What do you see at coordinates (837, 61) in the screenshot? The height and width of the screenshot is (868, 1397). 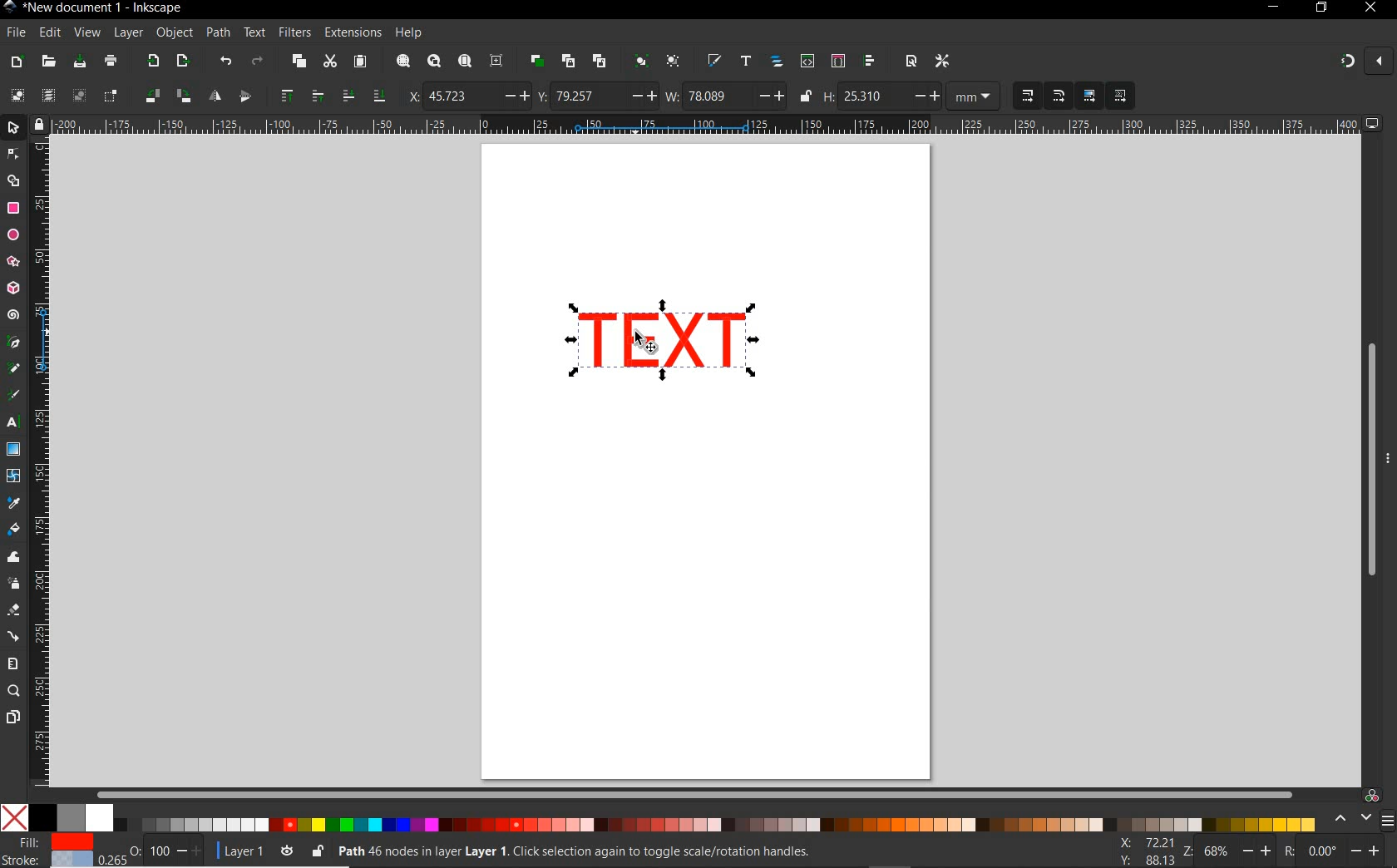 I see `OPEN SELECTORS` at bounding box center [837, 61].